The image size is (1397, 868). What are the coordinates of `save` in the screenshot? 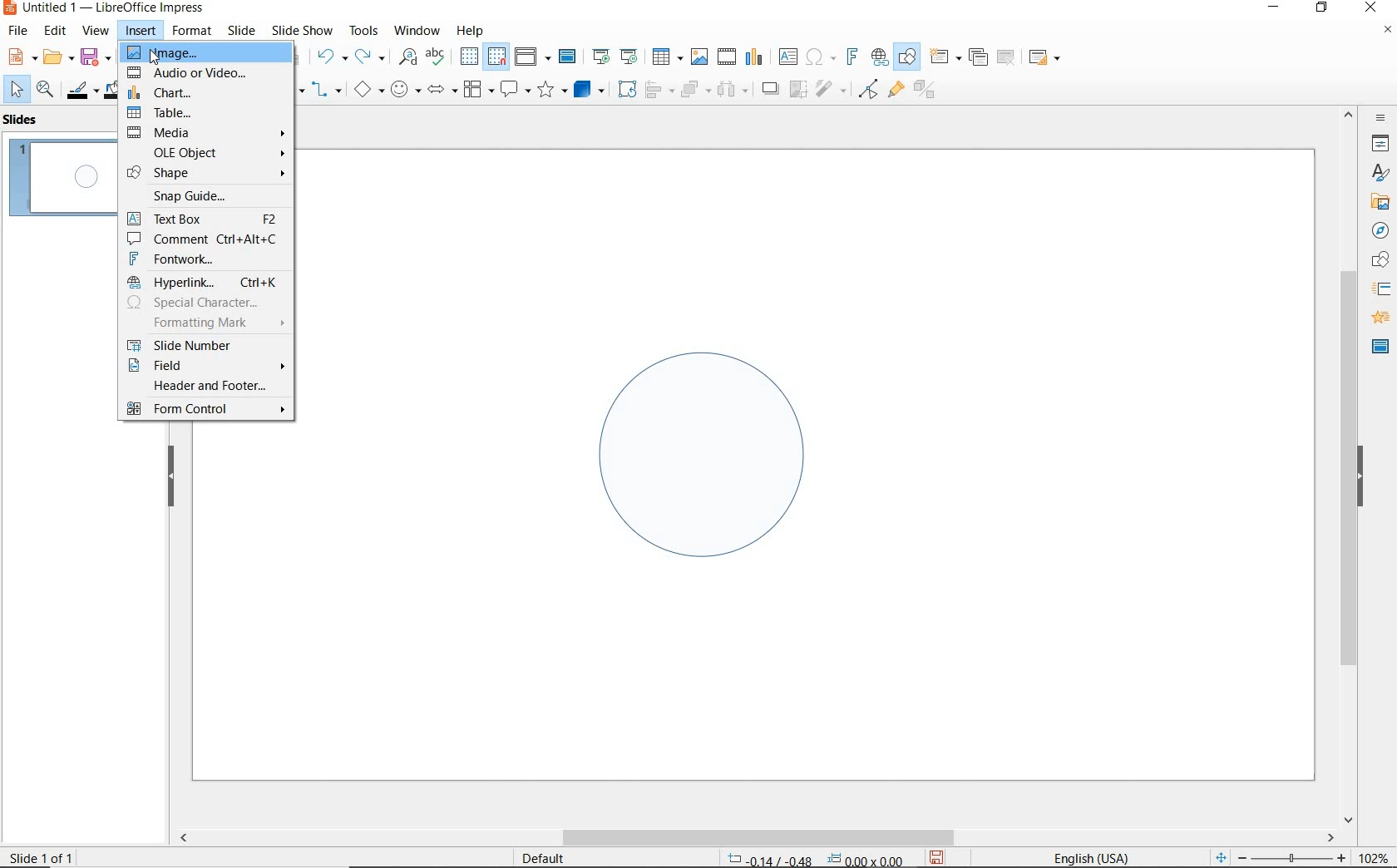 It's located at (96, 56).